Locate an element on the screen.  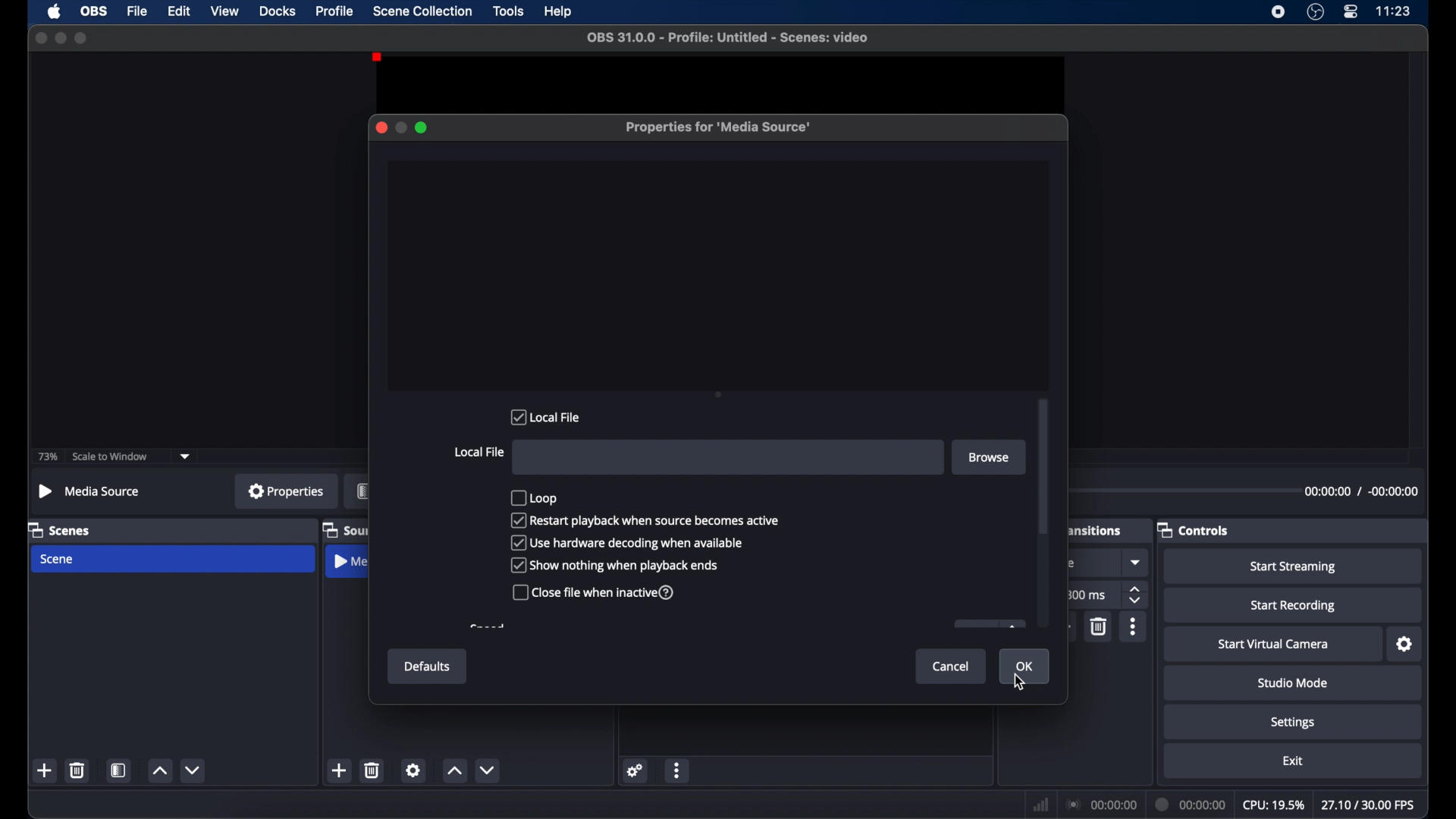
cancel is located at coordinates (950, 667).